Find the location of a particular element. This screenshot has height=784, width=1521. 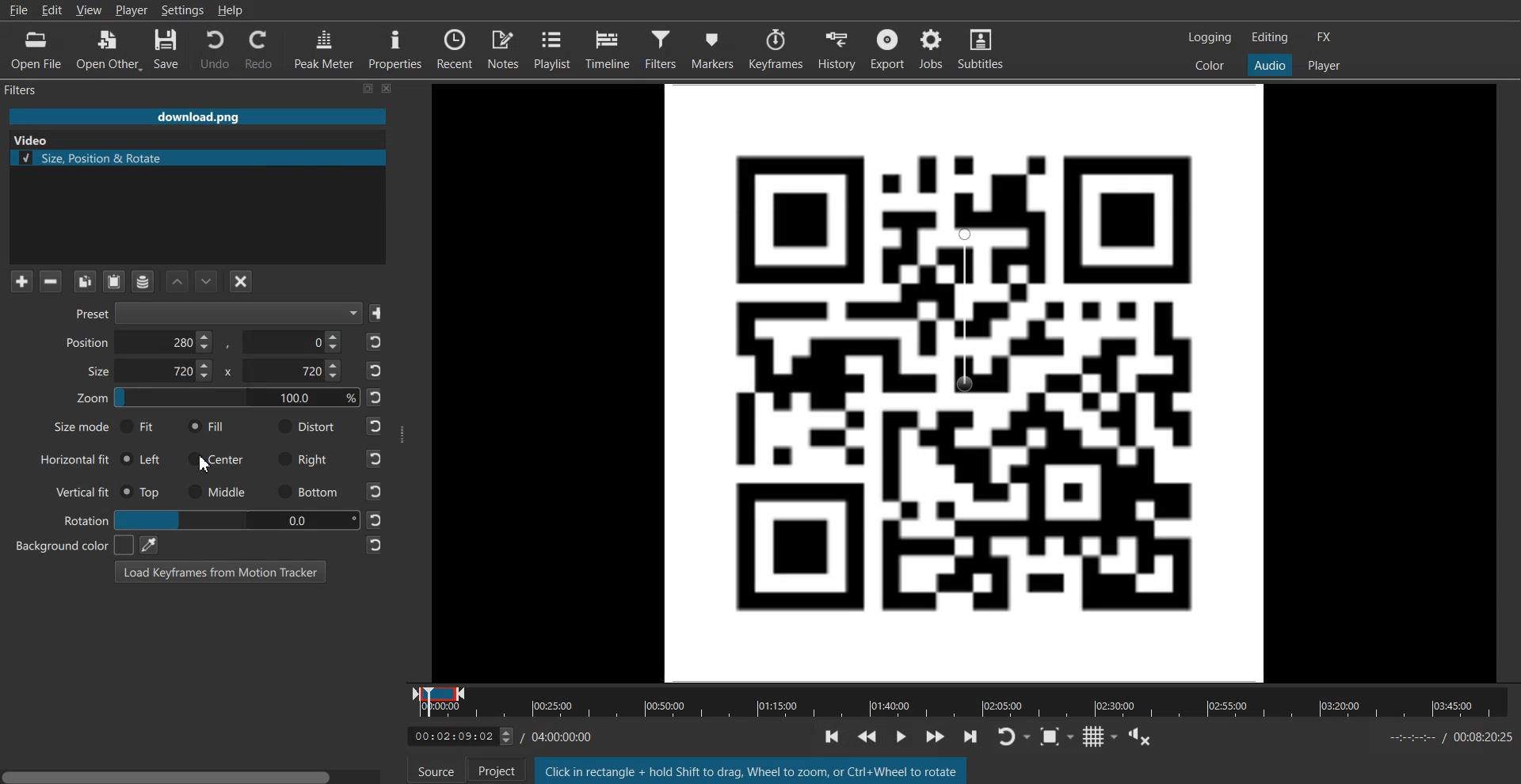

Project is located at coordinates (493, 771).